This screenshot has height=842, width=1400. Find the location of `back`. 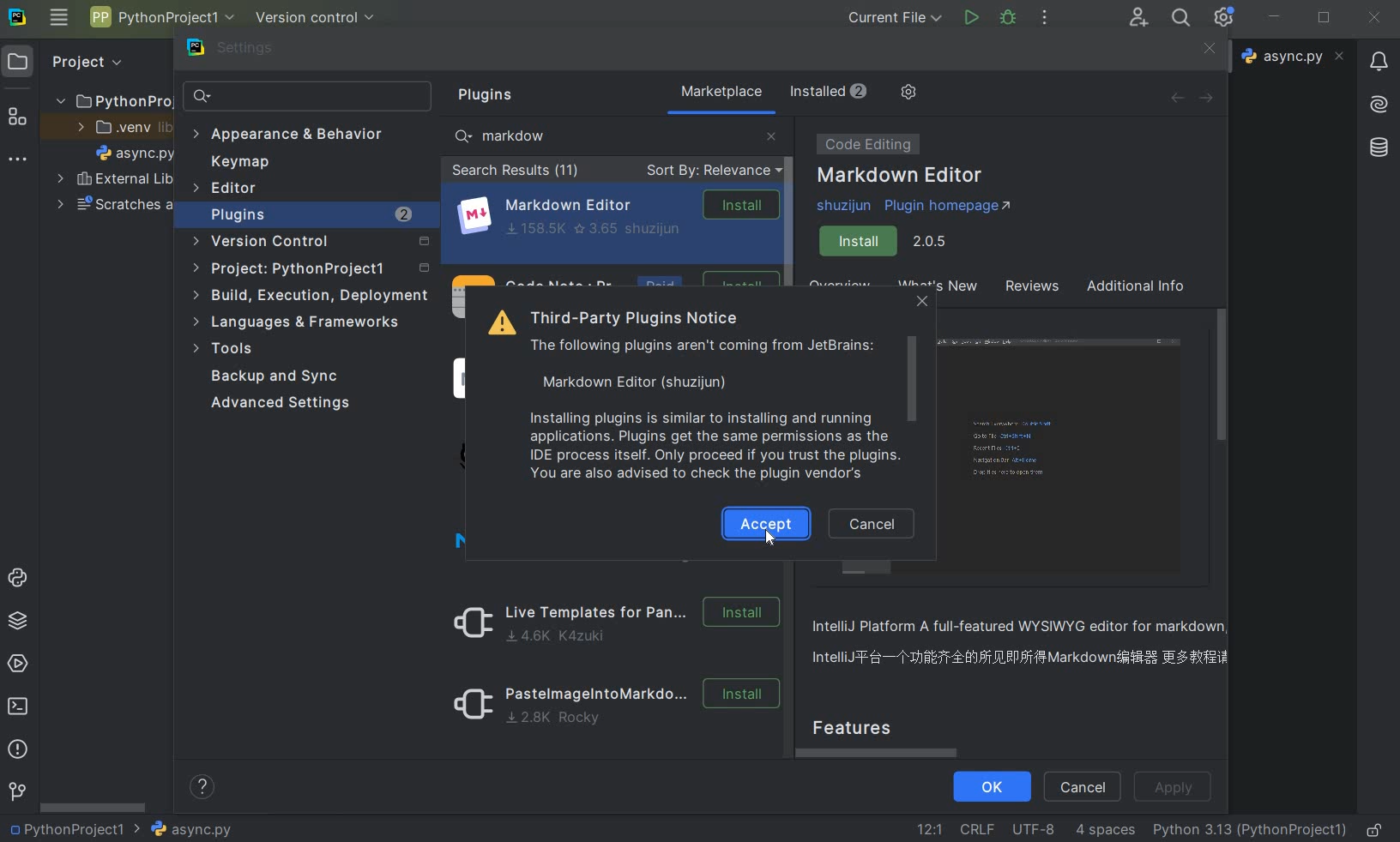

back is located at coordinates (1176, 98).